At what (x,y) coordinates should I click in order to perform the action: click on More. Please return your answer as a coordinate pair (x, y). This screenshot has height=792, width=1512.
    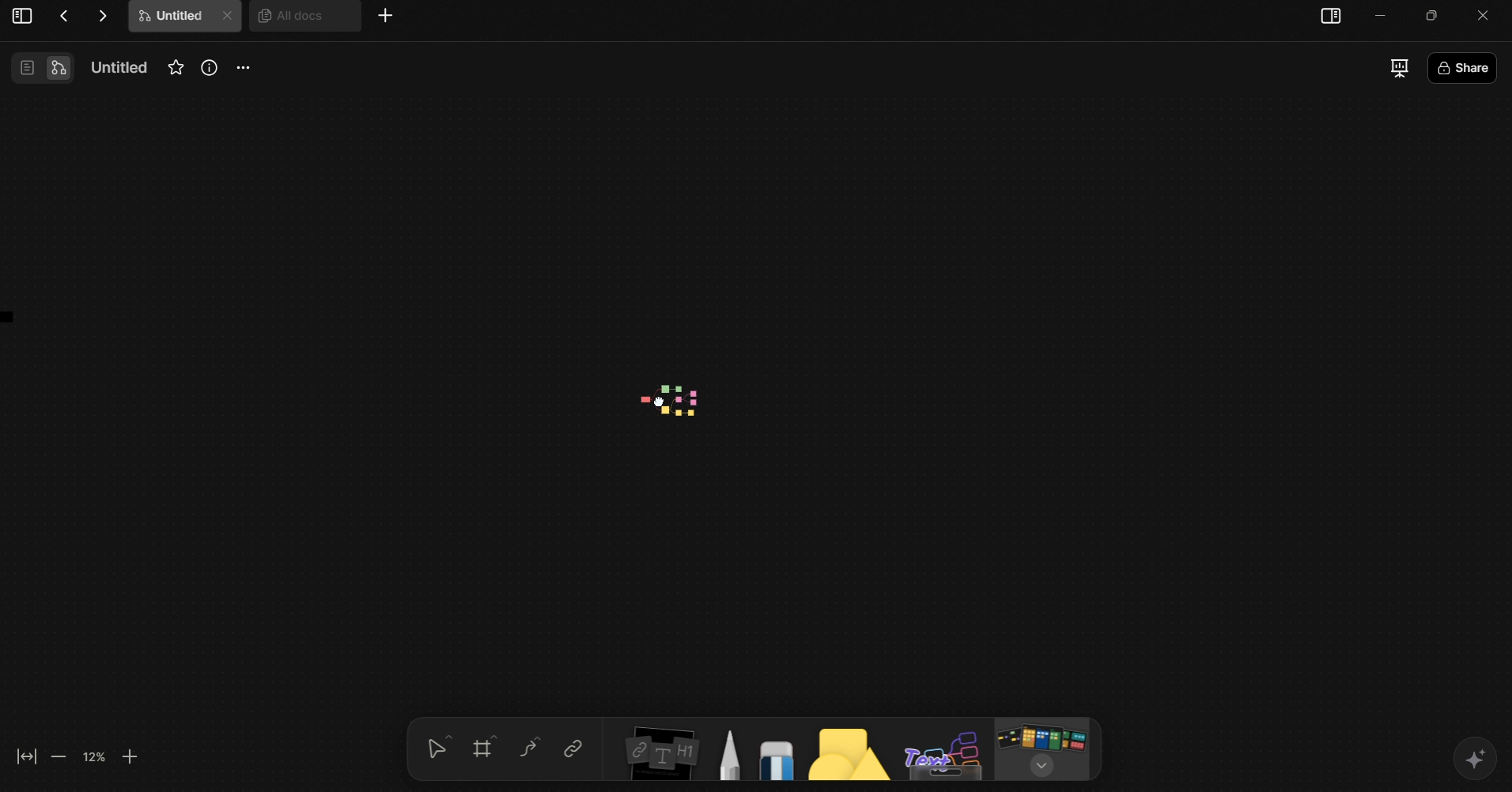
    Looking at the image, I should click on (386, 17).